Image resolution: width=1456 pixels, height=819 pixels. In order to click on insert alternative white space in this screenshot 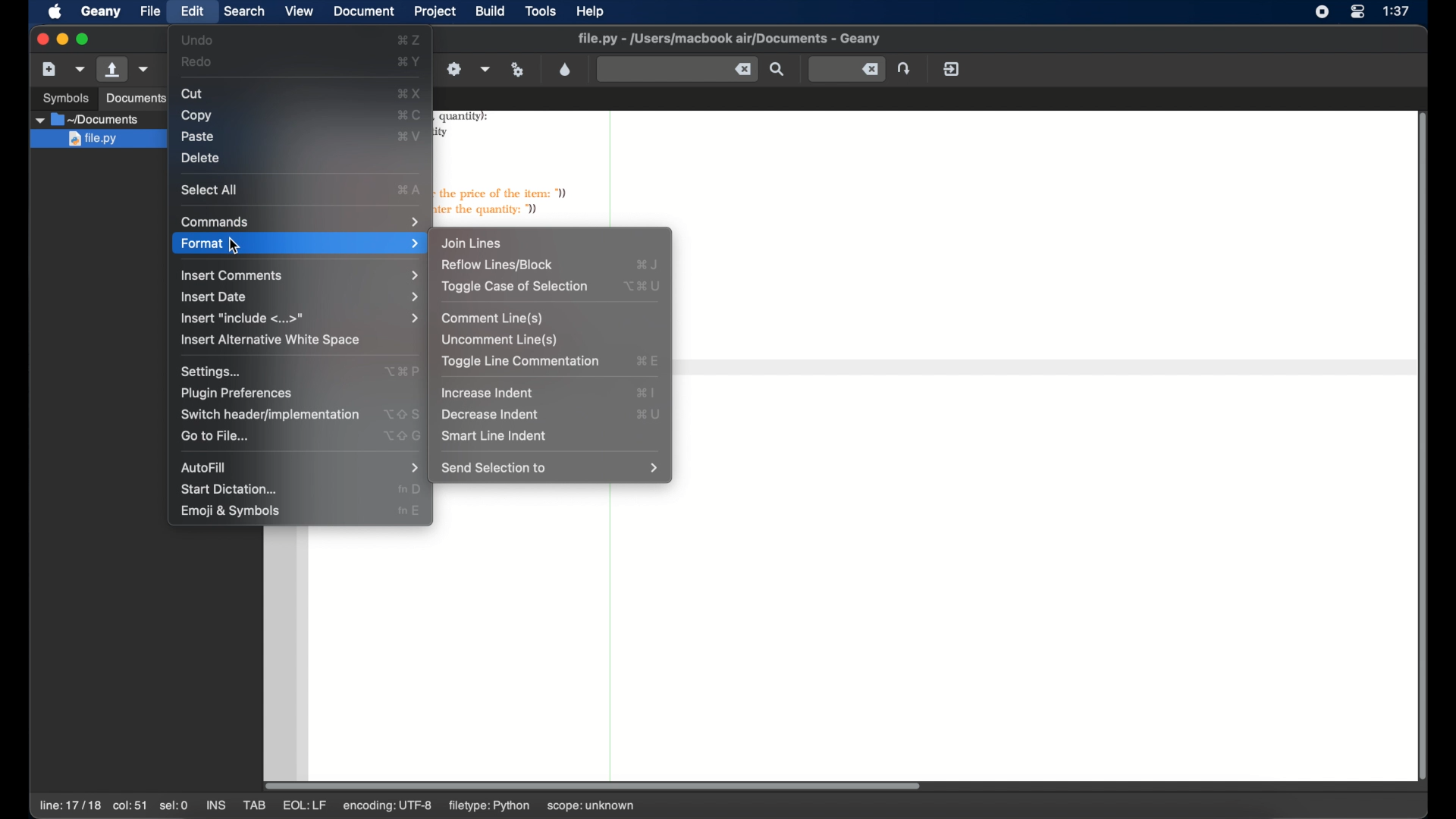, I will do `click(268, 340)`.